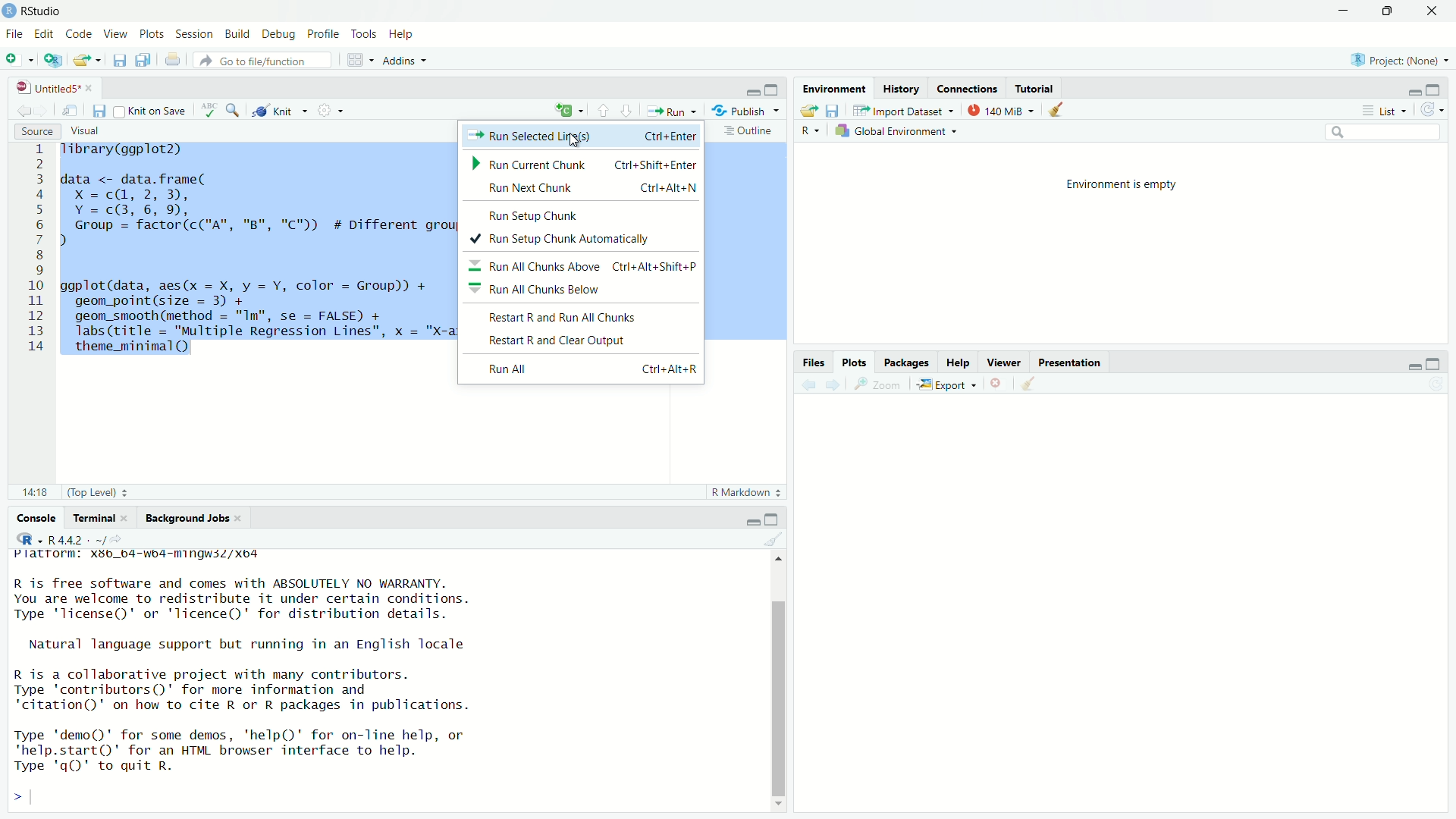 This screenshot has height=819, width=1456. Describe the element at coordinates (115, 35) in the screenshot. I see `View` at that location.